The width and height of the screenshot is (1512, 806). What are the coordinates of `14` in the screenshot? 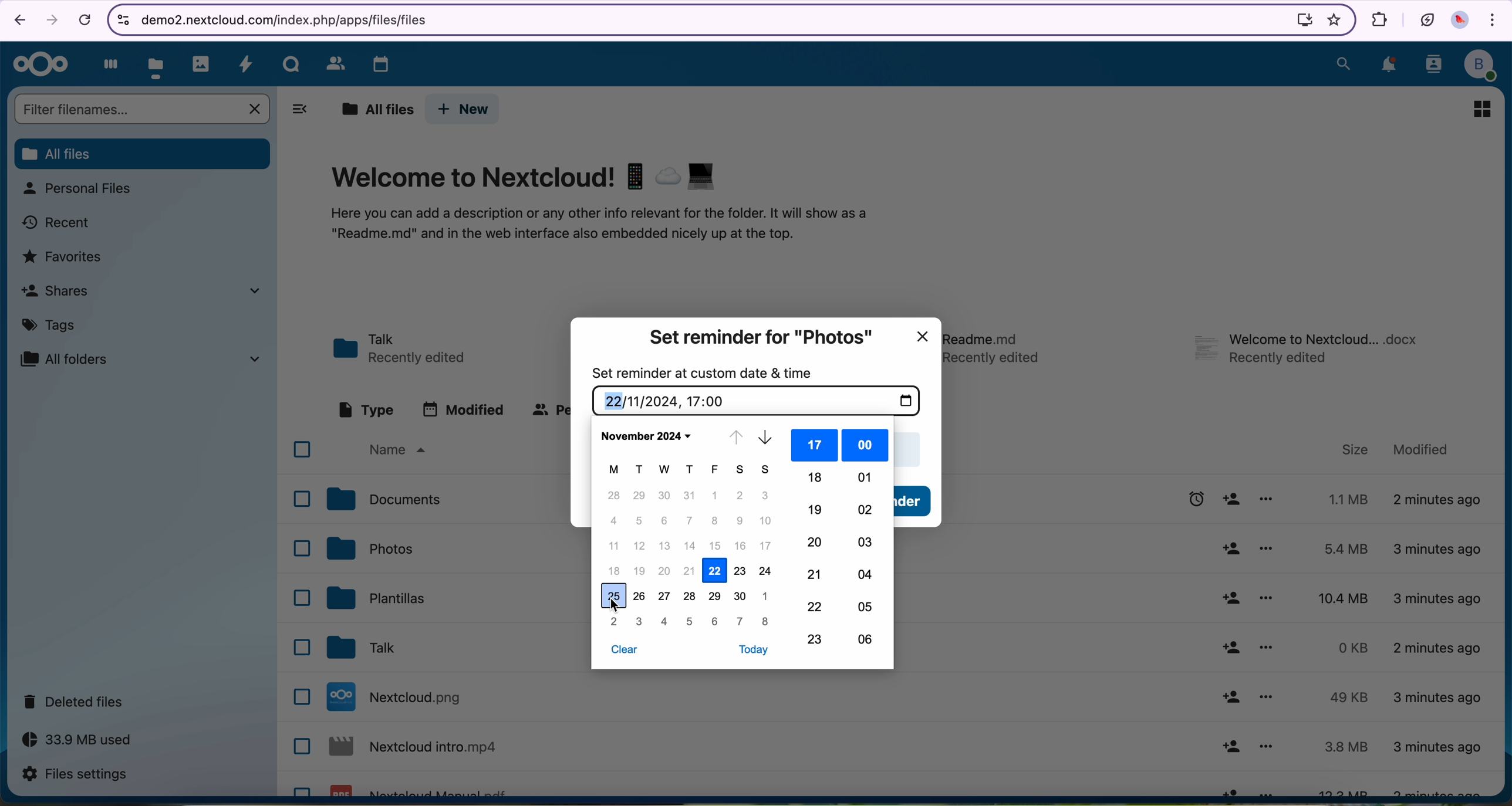 It's located at (691, 547).